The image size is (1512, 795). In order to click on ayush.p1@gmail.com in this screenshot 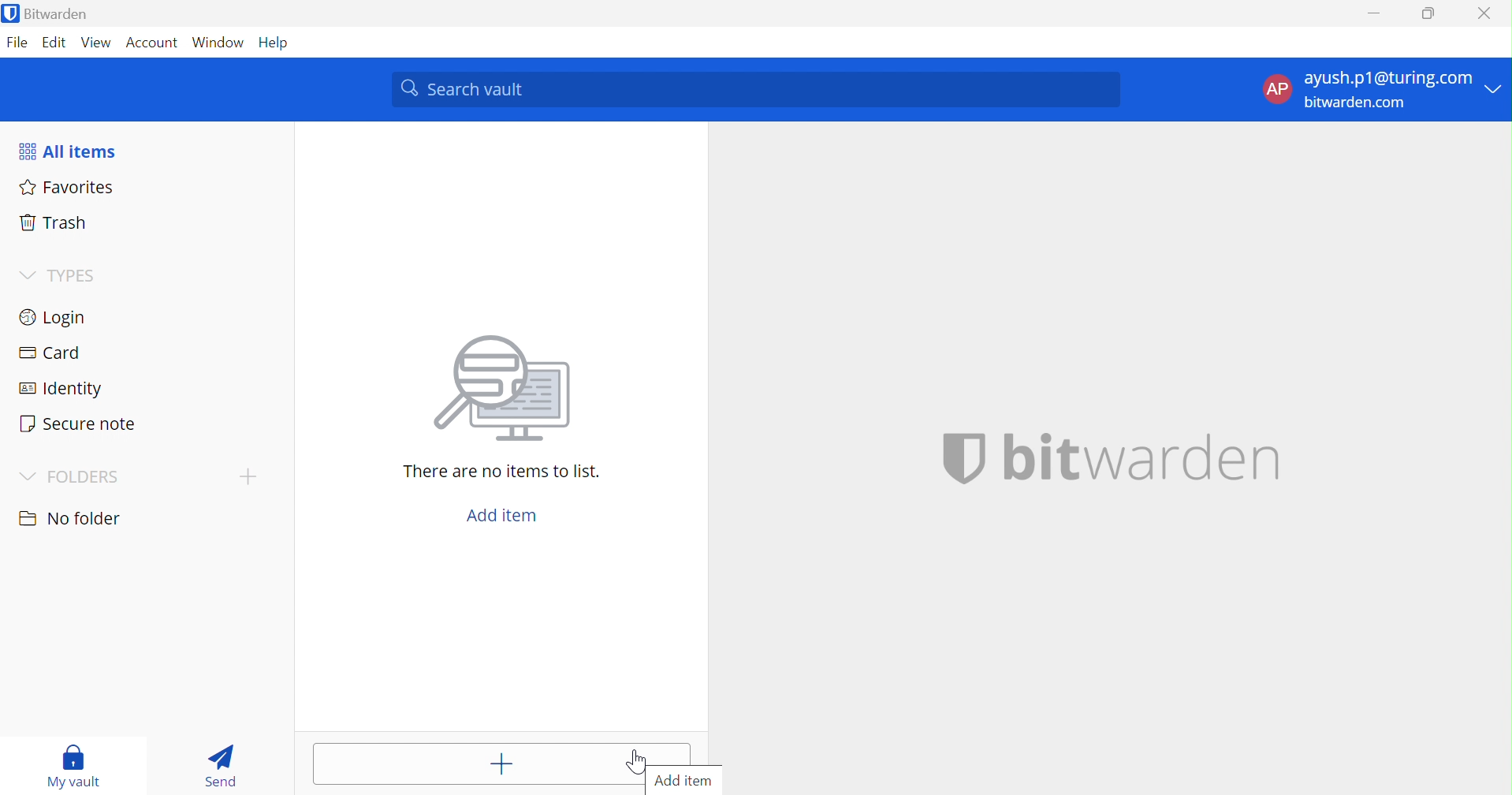, I will do `click(1386, 80)`.